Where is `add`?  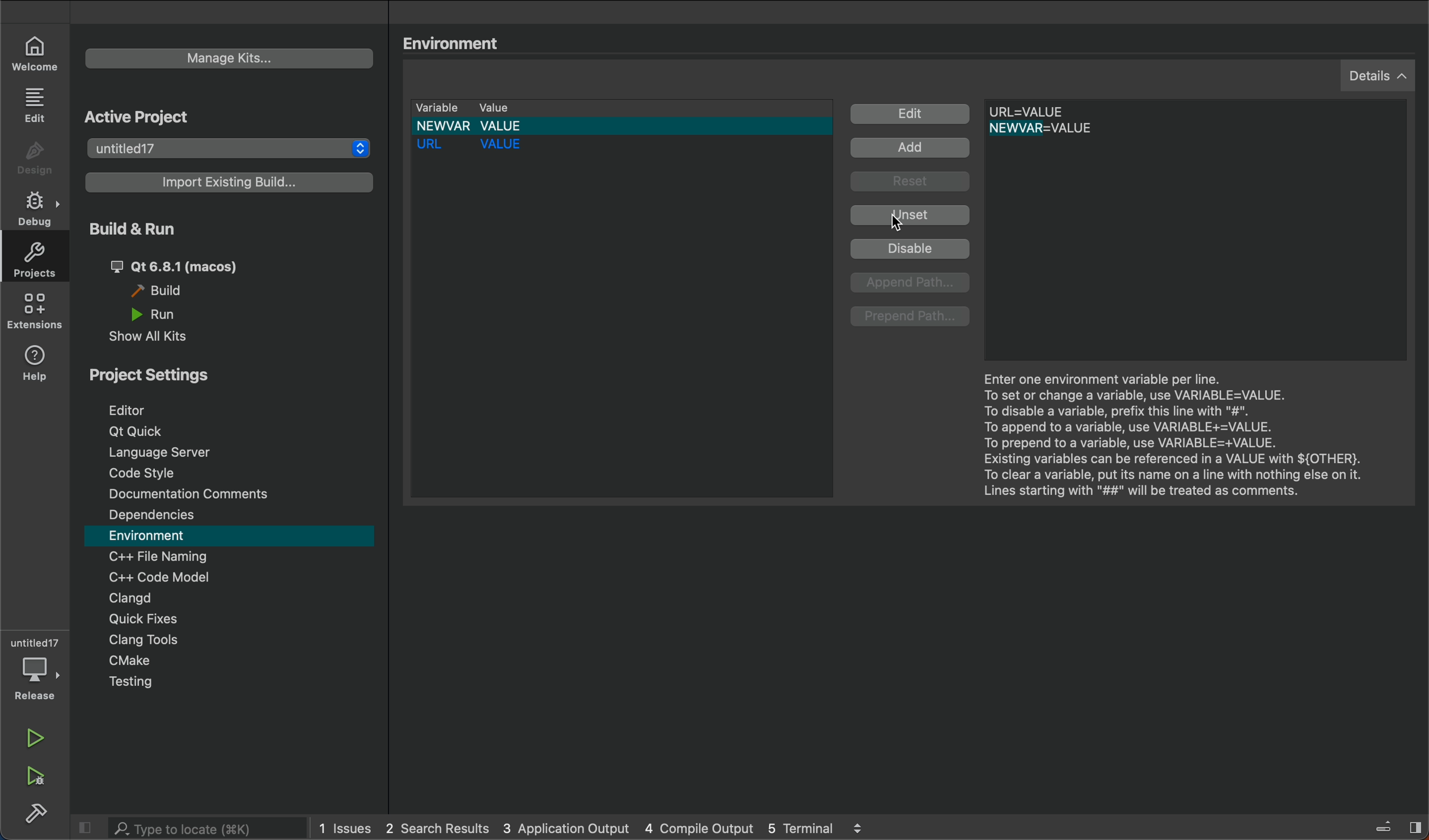
add is located at coordinates (915, 149).